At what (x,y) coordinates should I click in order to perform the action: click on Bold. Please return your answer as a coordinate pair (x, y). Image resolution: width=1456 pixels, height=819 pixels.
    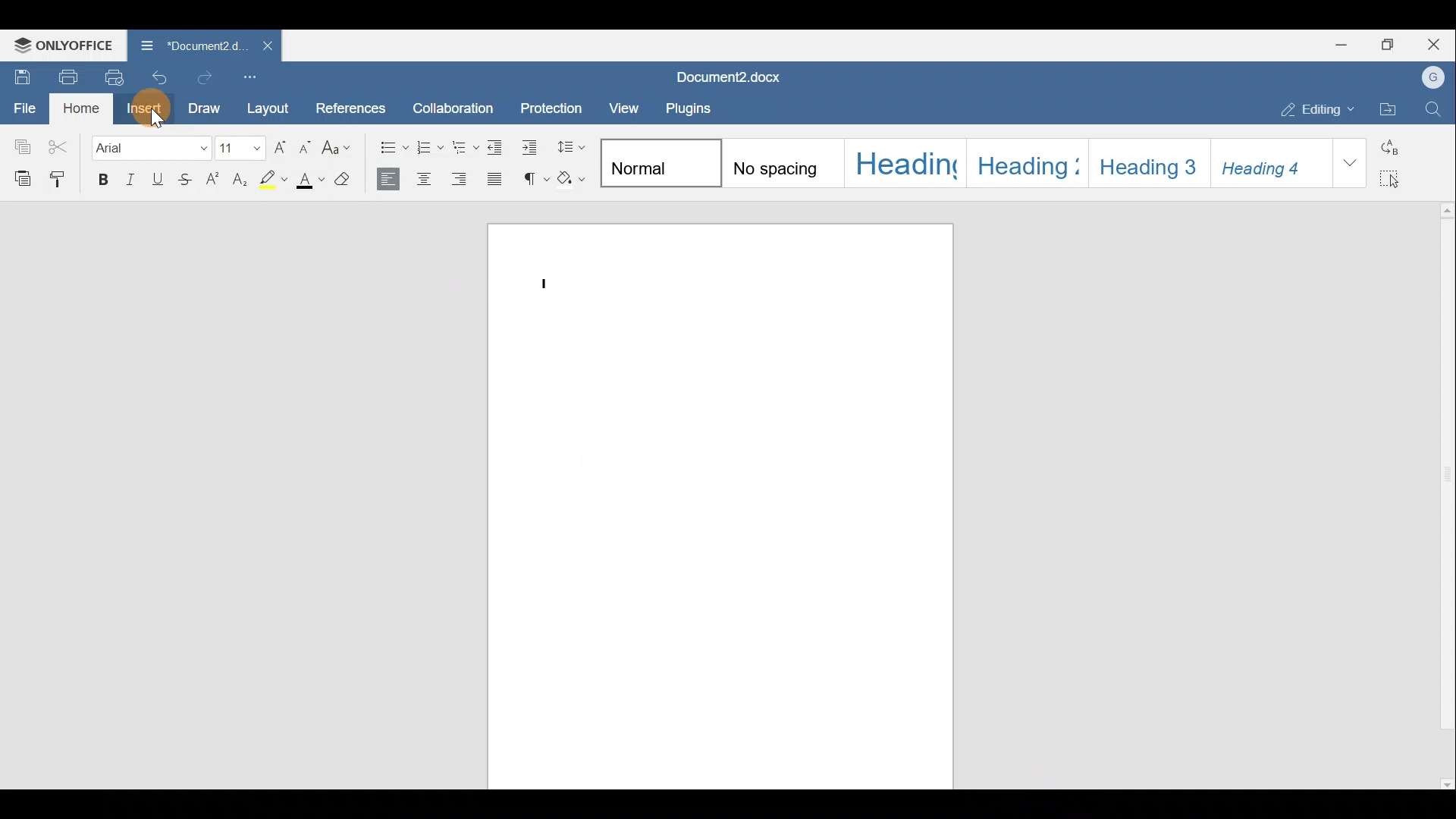
    Looking at the image, I should click on (105, 181).